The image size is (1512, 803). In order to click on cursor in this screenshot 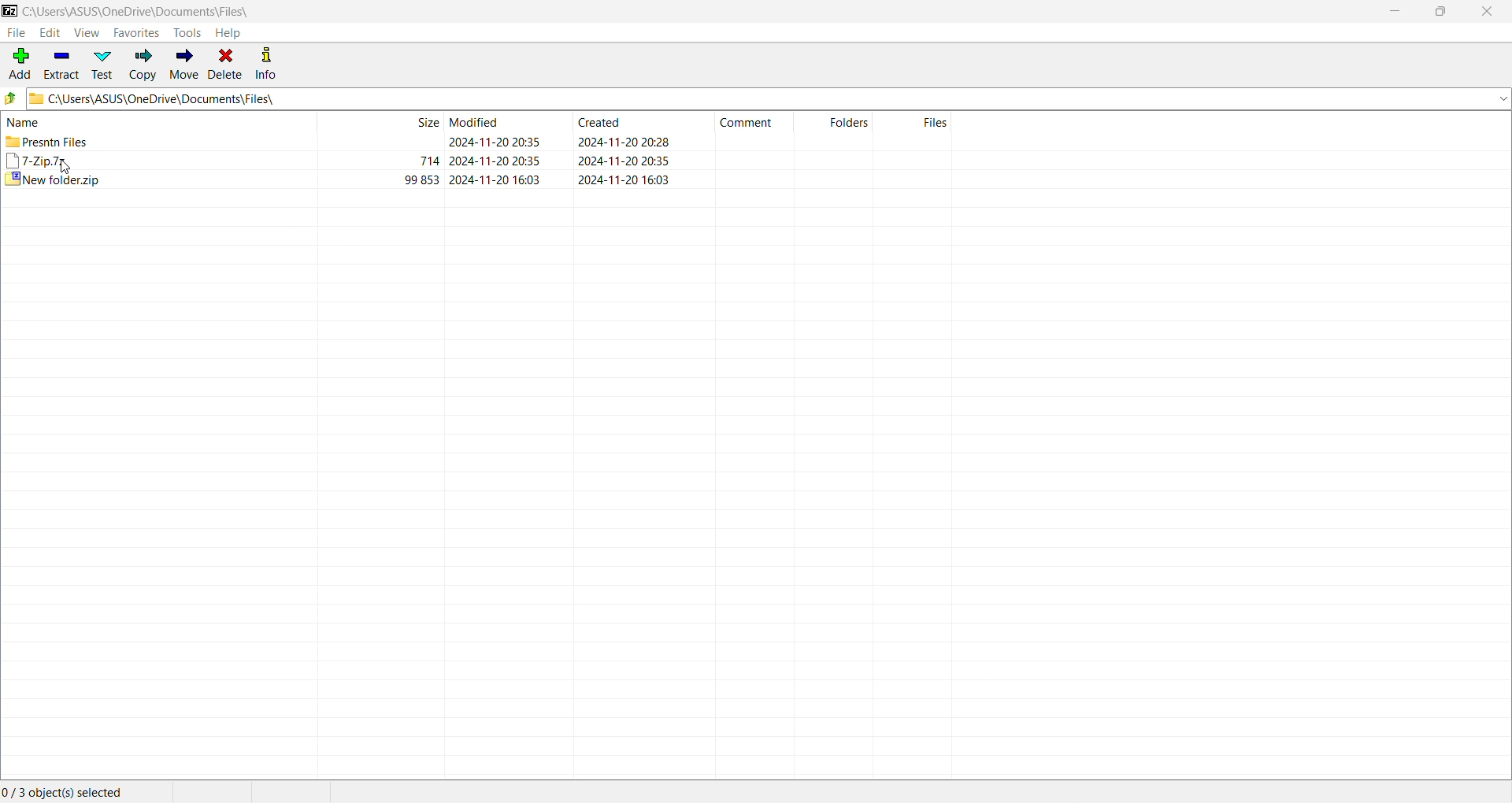, I will do `click(61, 165)`.